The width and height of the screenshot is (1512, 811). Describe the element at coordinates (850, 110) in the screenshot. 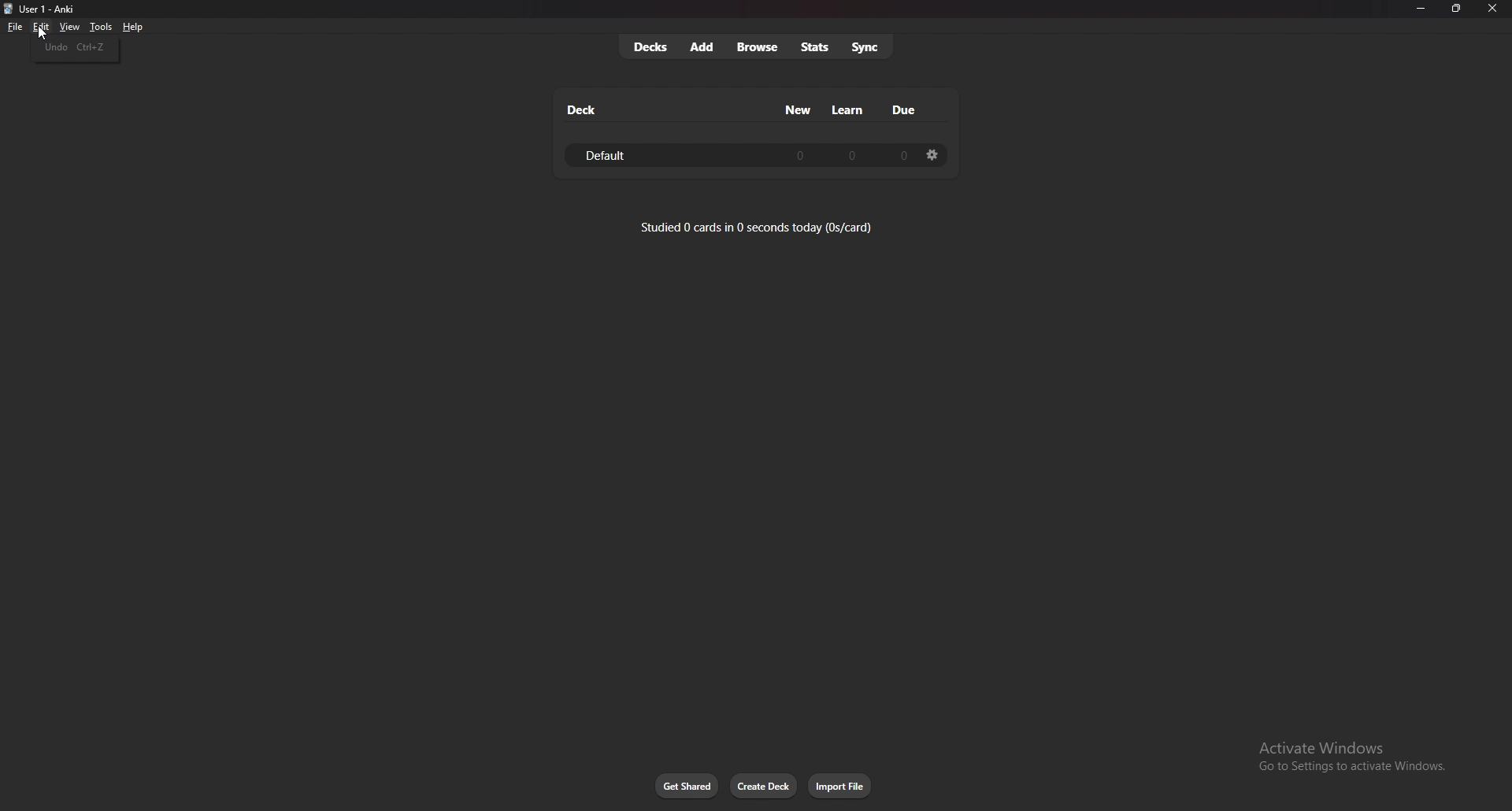

I see `learn` at that location.